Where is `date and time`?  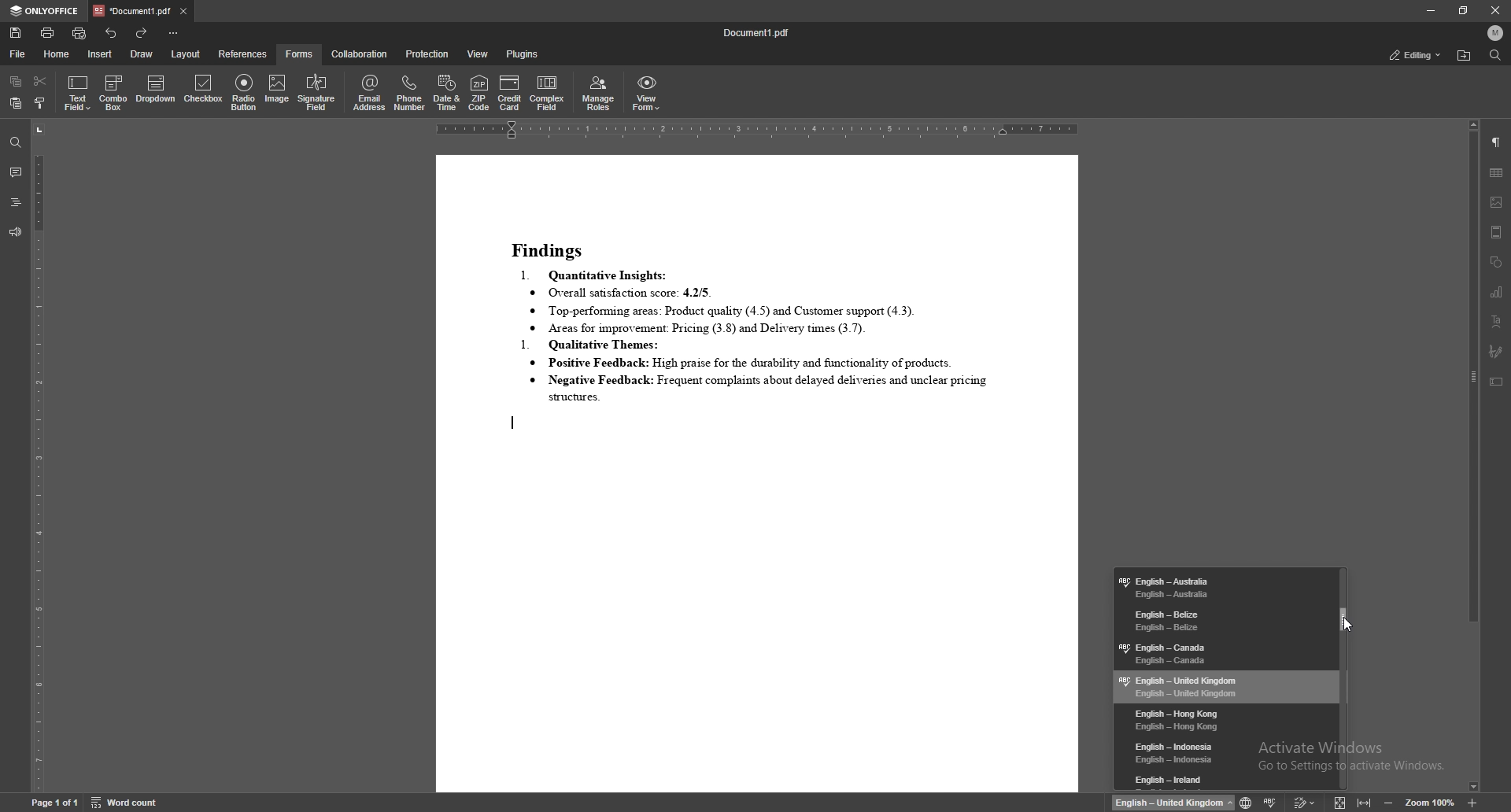 date and time is located at coordinates (448, 93).